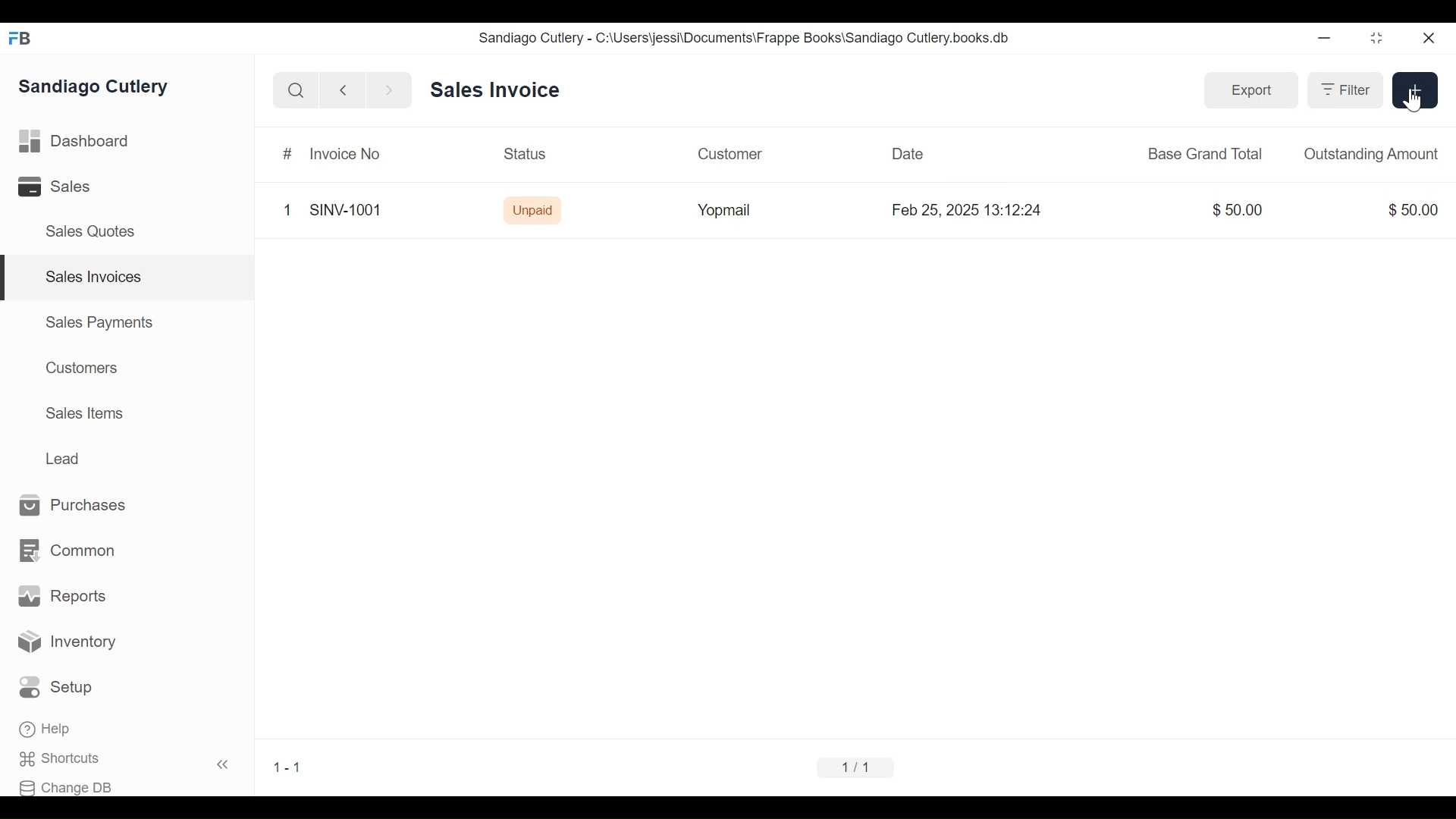 Image resolution: width=1456 pixels, height=819 pixels. I want to click on forward, so click(390, 89).